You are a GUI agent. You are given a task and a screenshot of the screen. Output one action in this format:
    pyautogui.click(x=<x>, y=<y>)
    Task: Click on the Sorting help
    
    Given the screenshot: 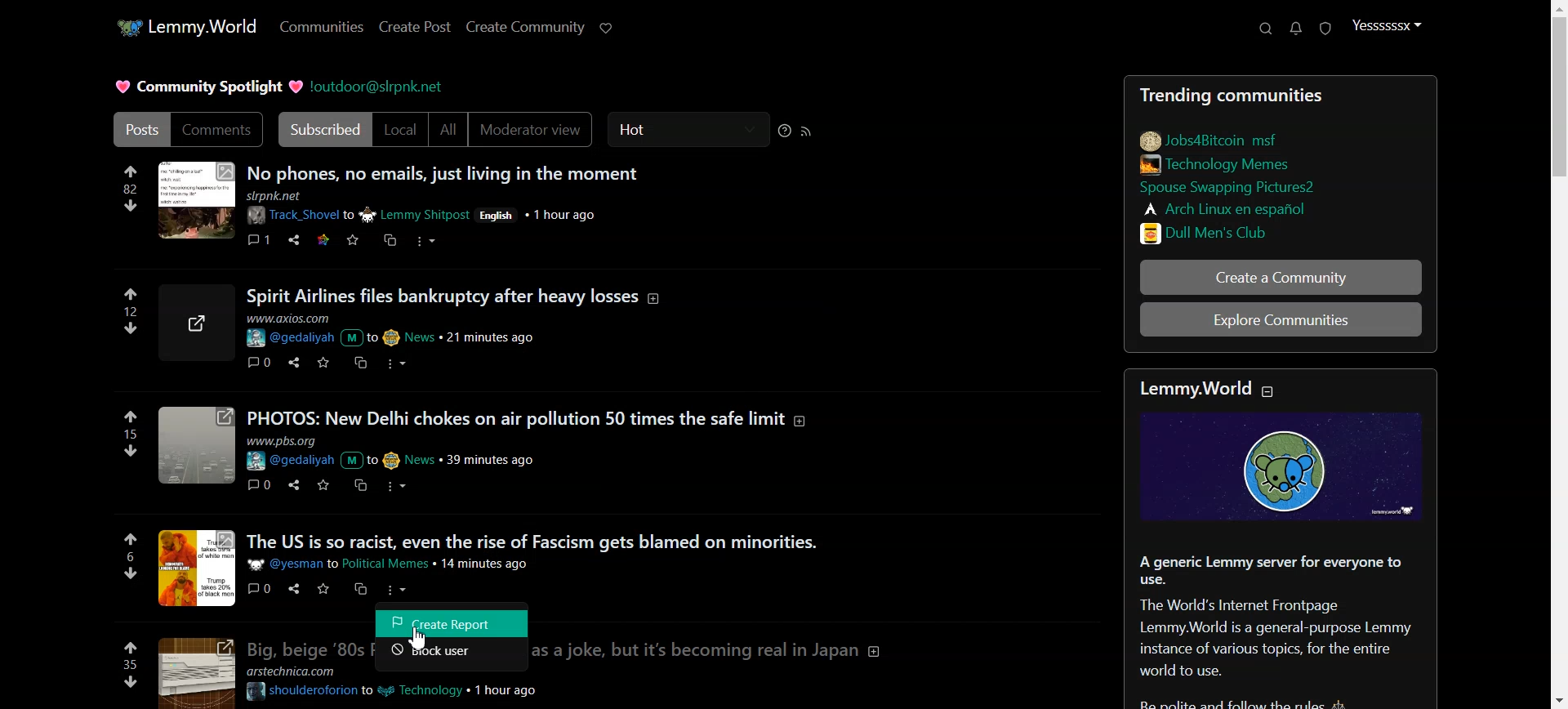 What is the action you would take?
    pyautogui.click(x=785, y=131)
    